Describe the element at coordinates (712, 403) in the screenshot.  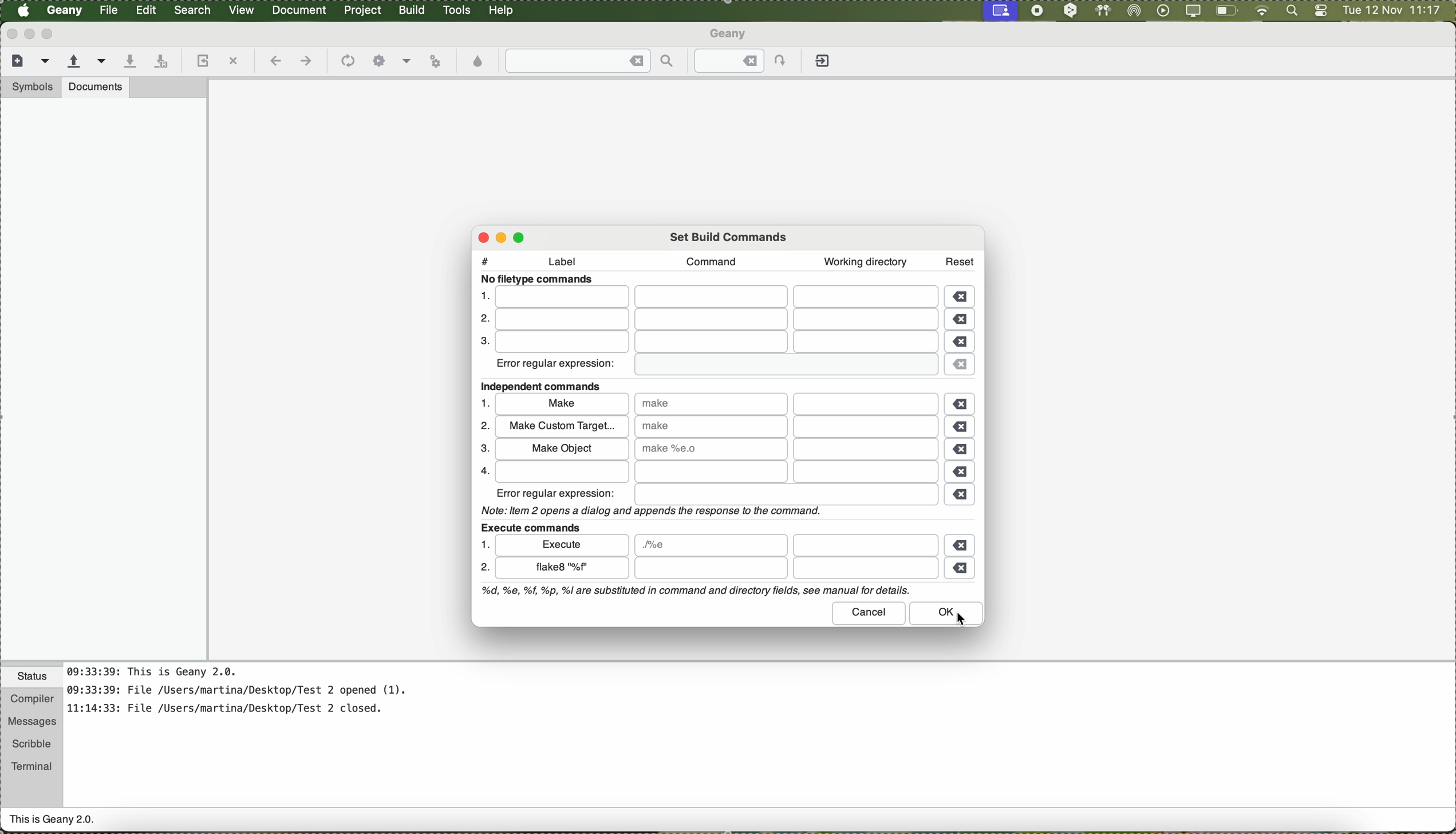
I see `make` at that location.